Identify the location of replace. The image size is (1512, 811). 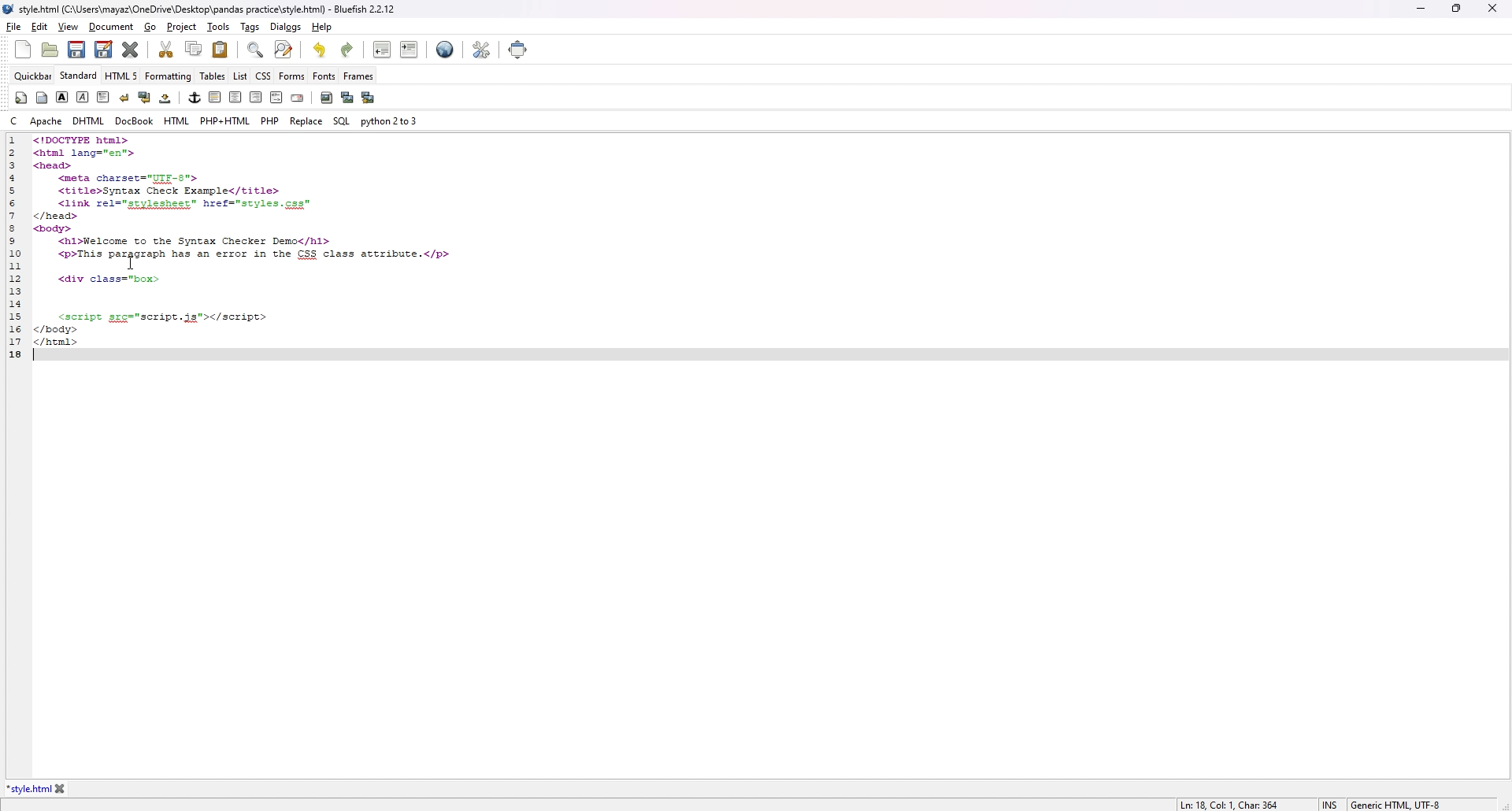
(307, 121).